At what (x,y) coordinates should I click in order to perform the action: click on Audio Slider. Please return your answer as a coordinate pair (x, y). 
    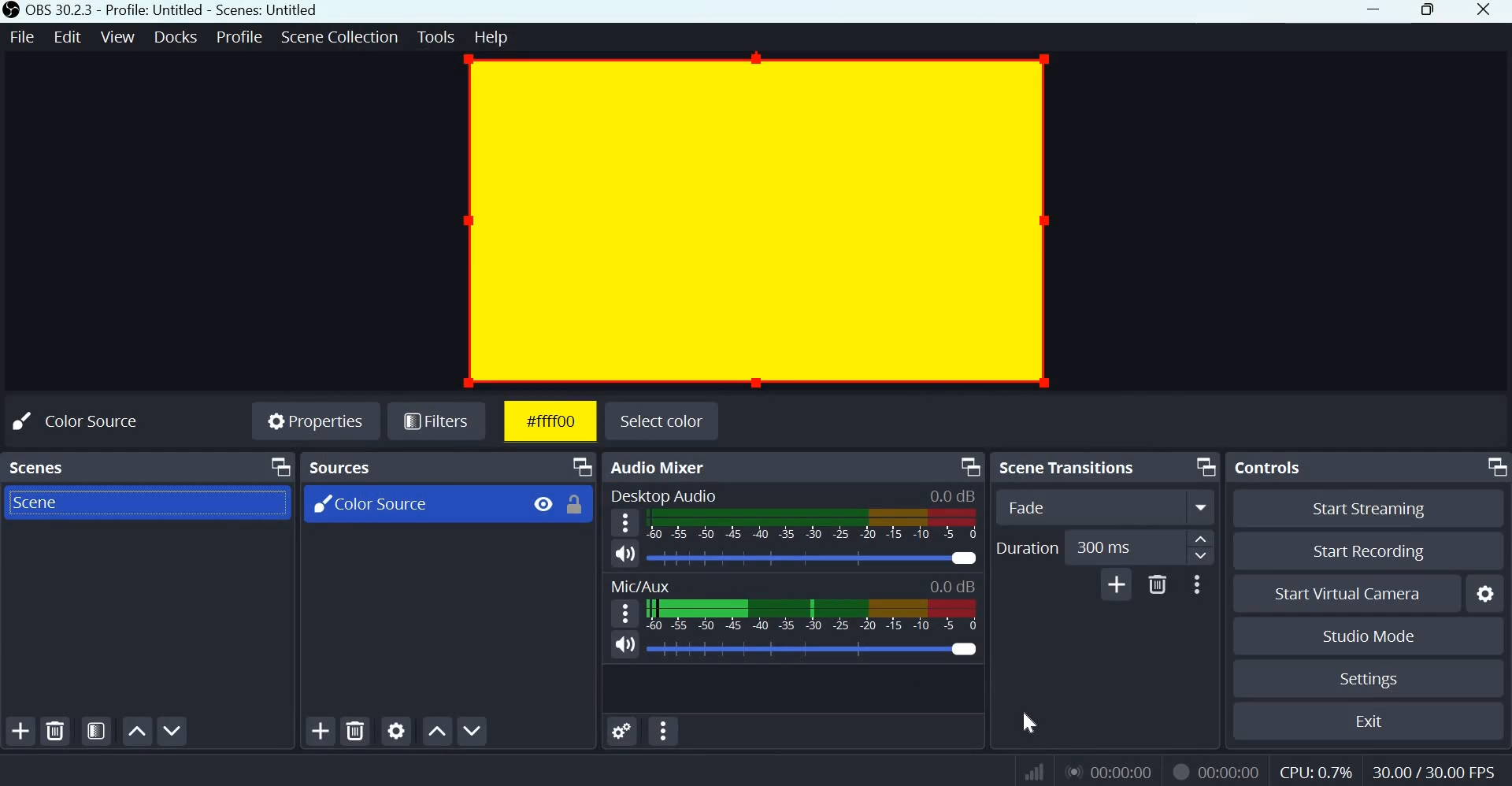
    Looking at the image, I should click on (963, 647).